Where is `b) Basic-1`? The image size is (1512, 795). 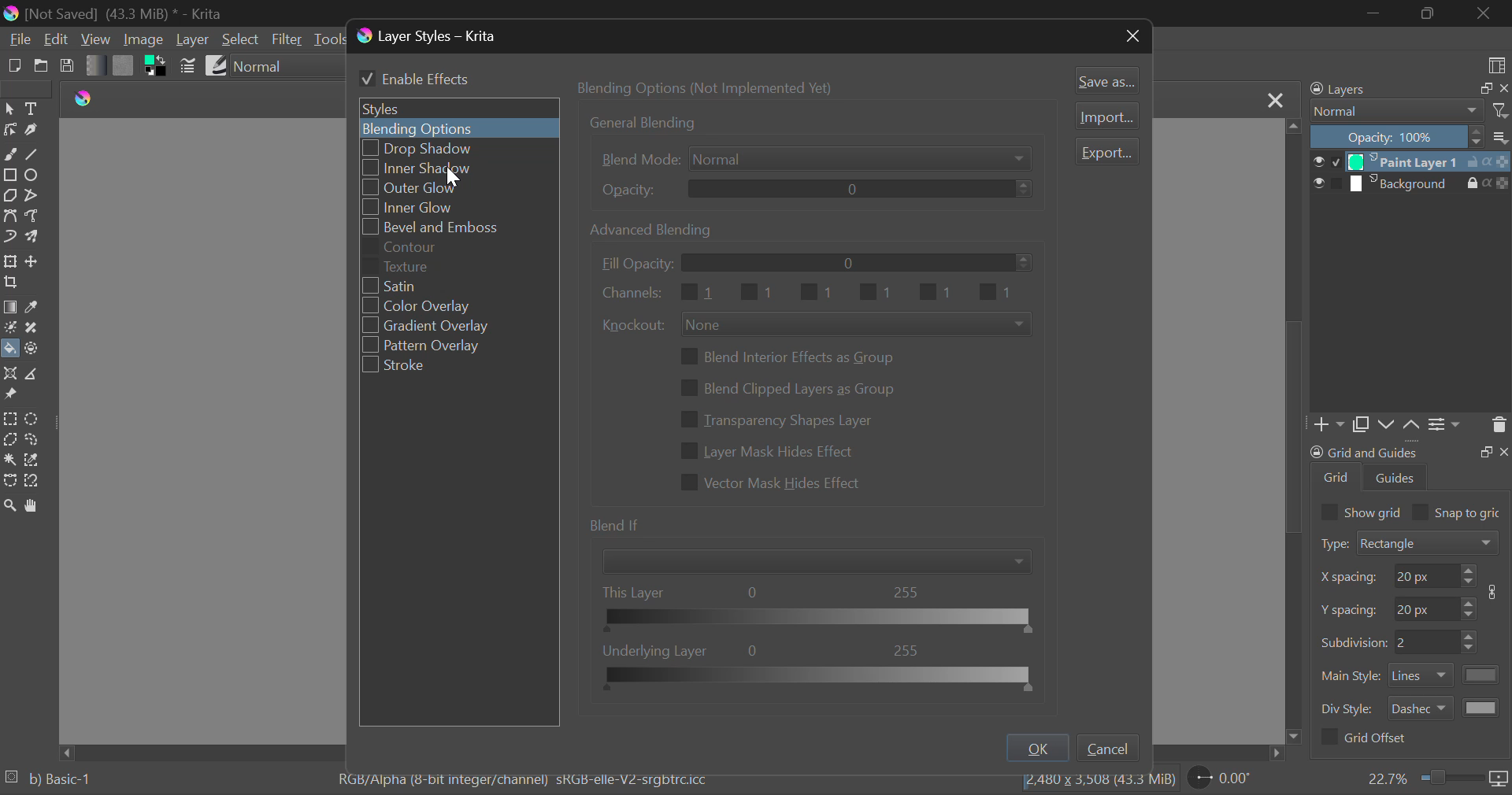
b) Basic-1 is located at coordinates (61, 779).